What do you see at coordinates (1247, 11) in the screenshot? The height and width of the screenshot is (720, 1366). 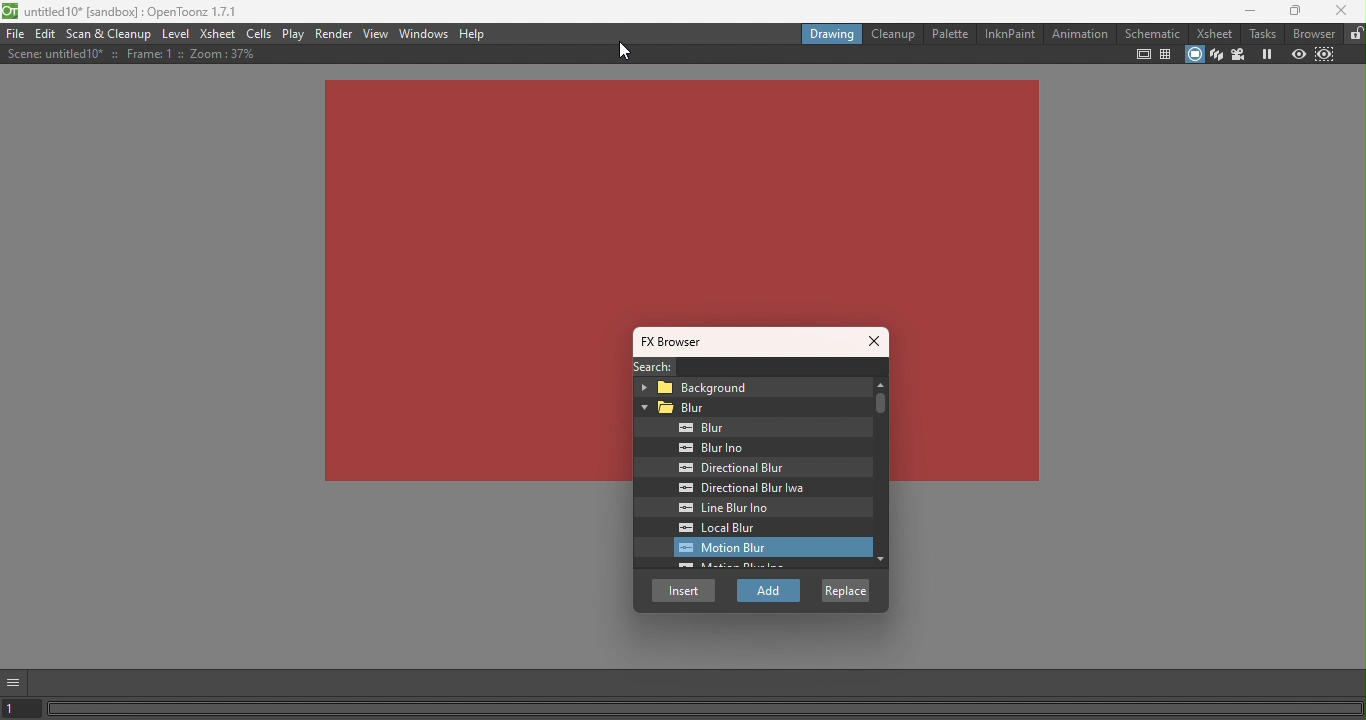 I see `Minimize` at bounding box center [1247, 11].